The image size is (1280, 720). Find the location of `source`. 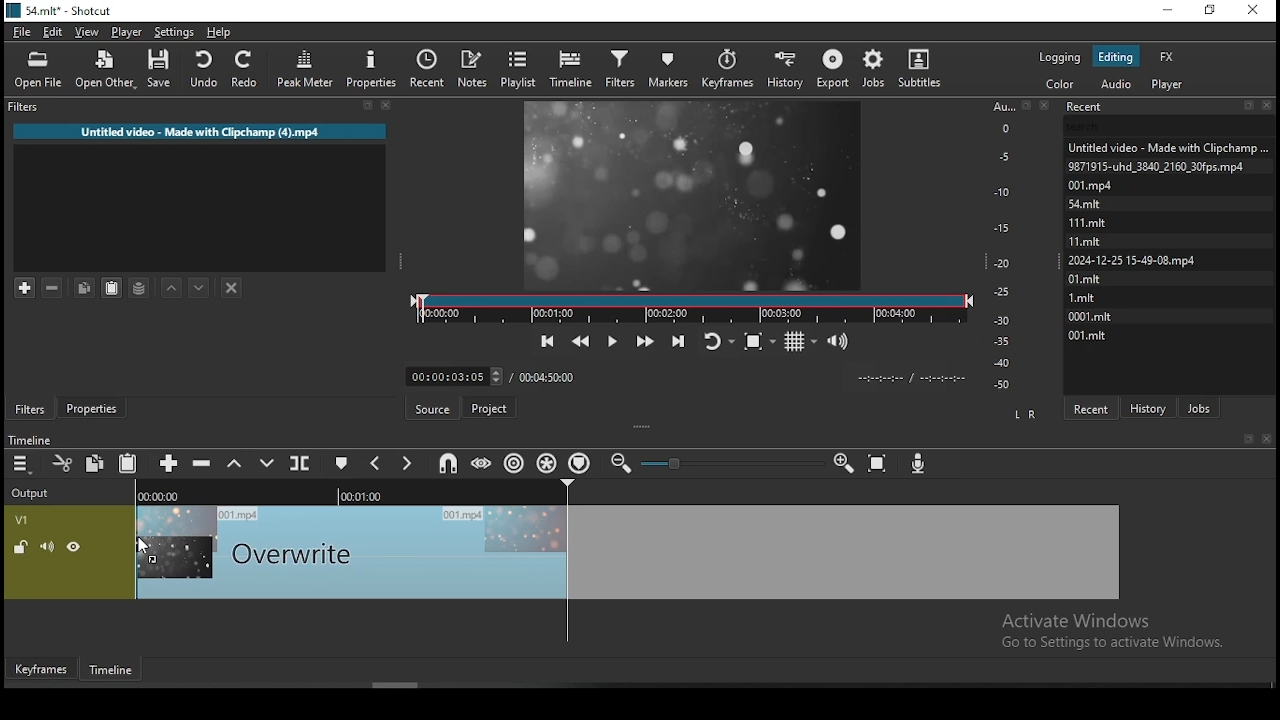

source is located at coordinates (434, 408).